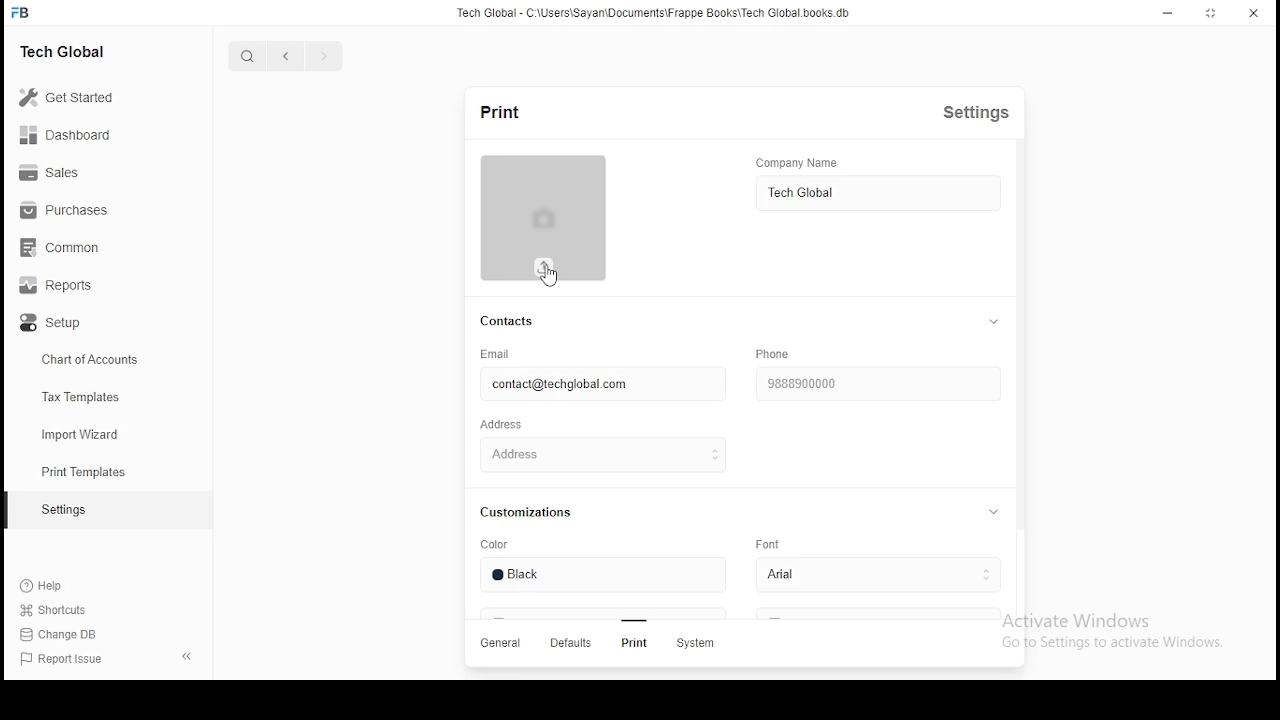 Image resolution: width=1280 pixels, height=720 pixels. Describe the element at coordinates (23, 13) in the screenshot. I see `Frappe Books logo` at that location.